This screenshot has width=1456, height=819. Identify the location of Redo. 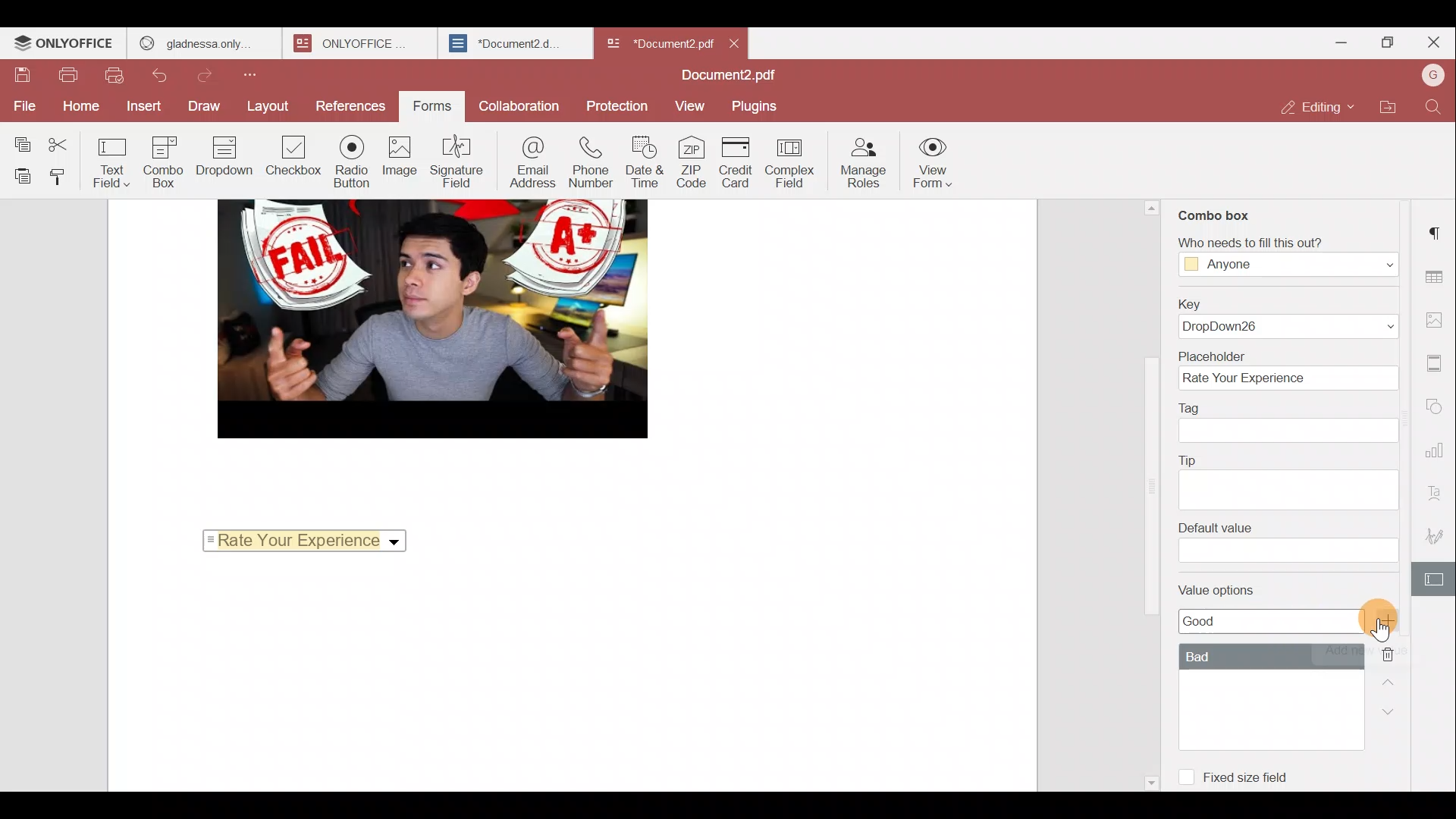
(212, 76).